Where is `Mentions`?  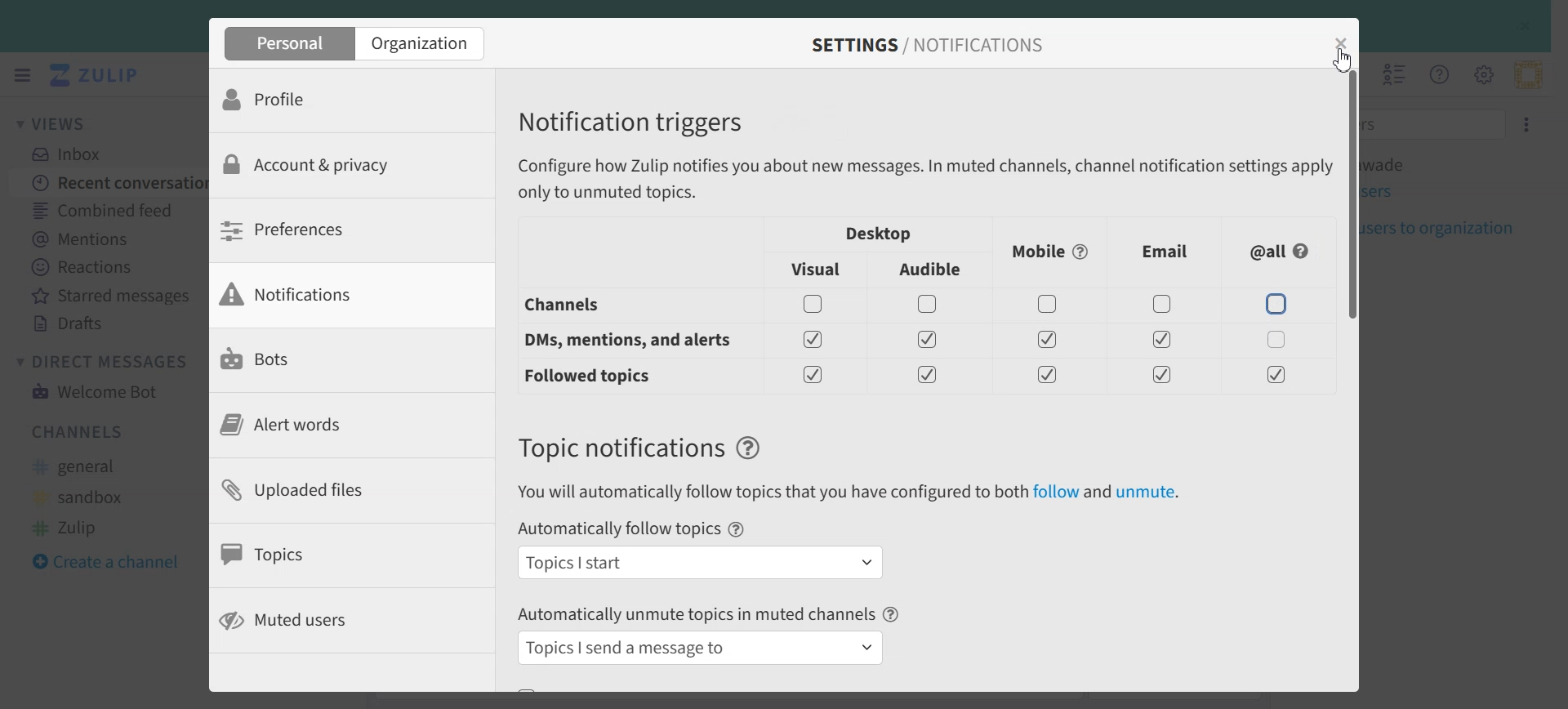 Mentions is located at coordinates (107, 237).